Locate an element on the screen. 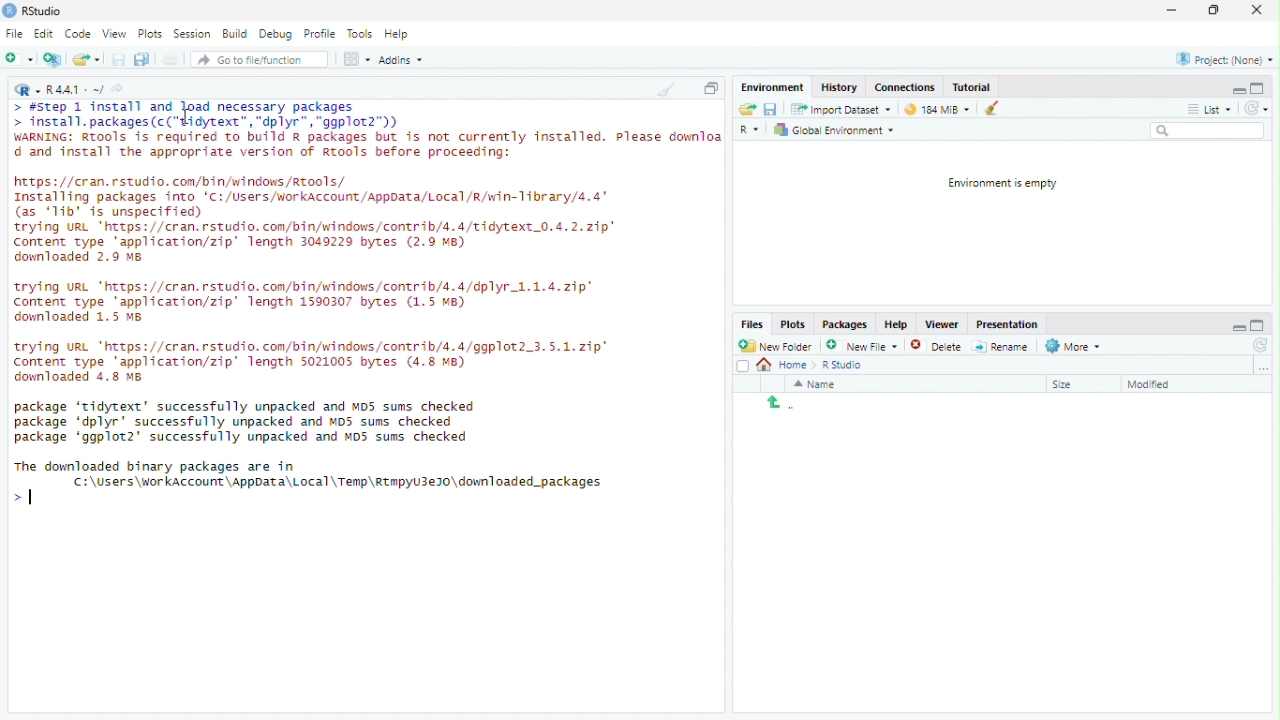 The width and height of the screenshot is (1280, 720). Go is located at coordinates (121, 91).